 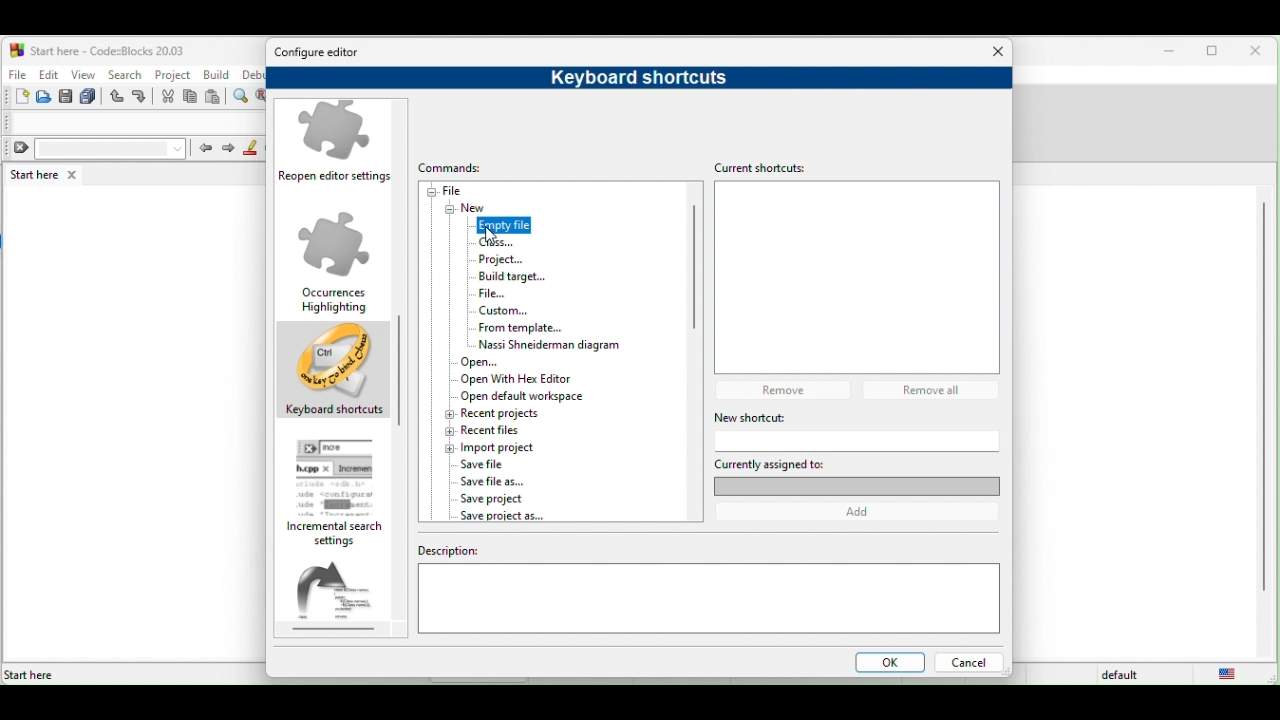 I want to click on add, so click(x=864, y=512).